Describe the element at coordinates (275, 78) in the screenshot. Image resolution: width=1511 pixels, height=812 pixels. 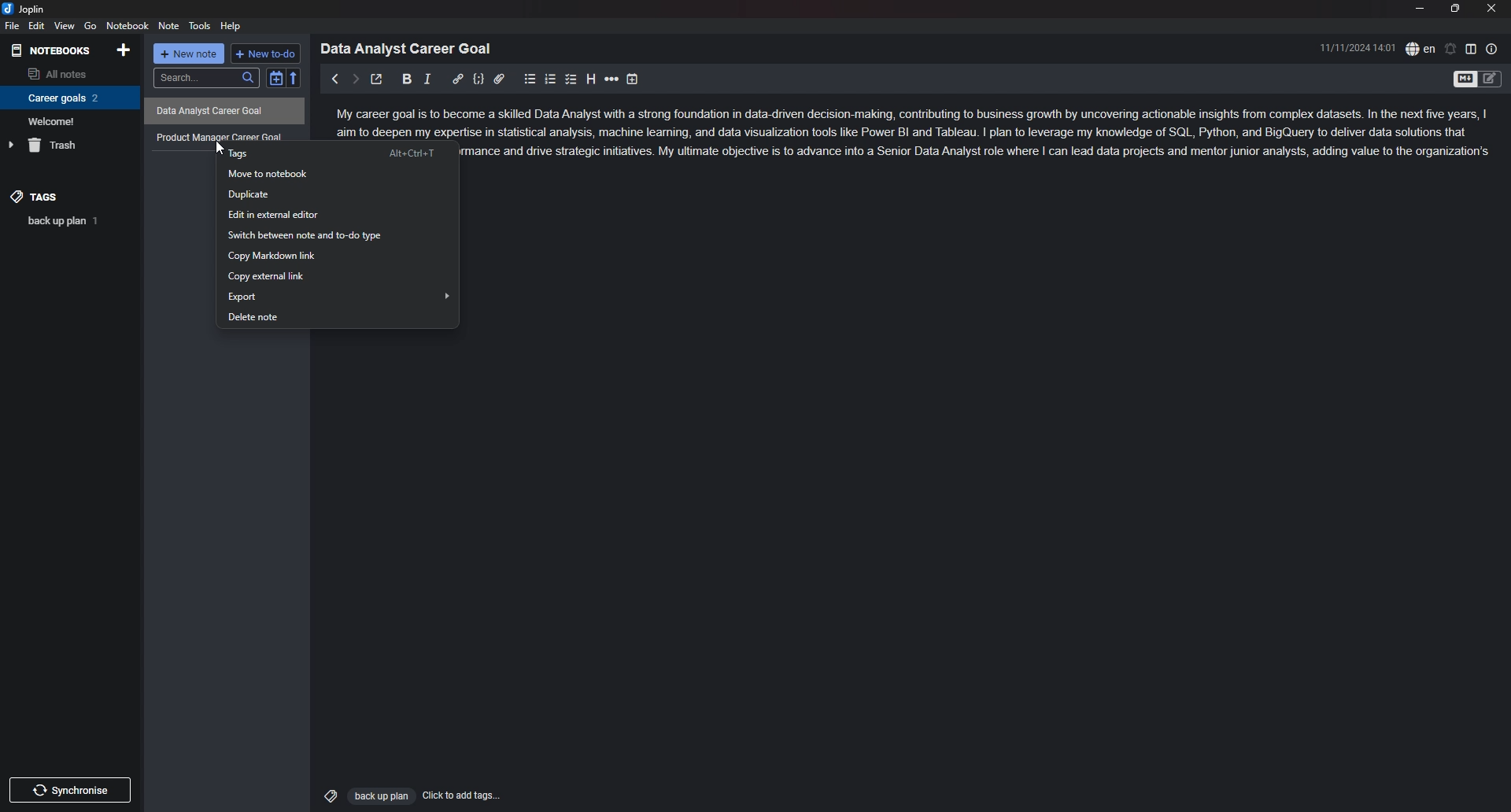
I see `toggle sort order` at that location.